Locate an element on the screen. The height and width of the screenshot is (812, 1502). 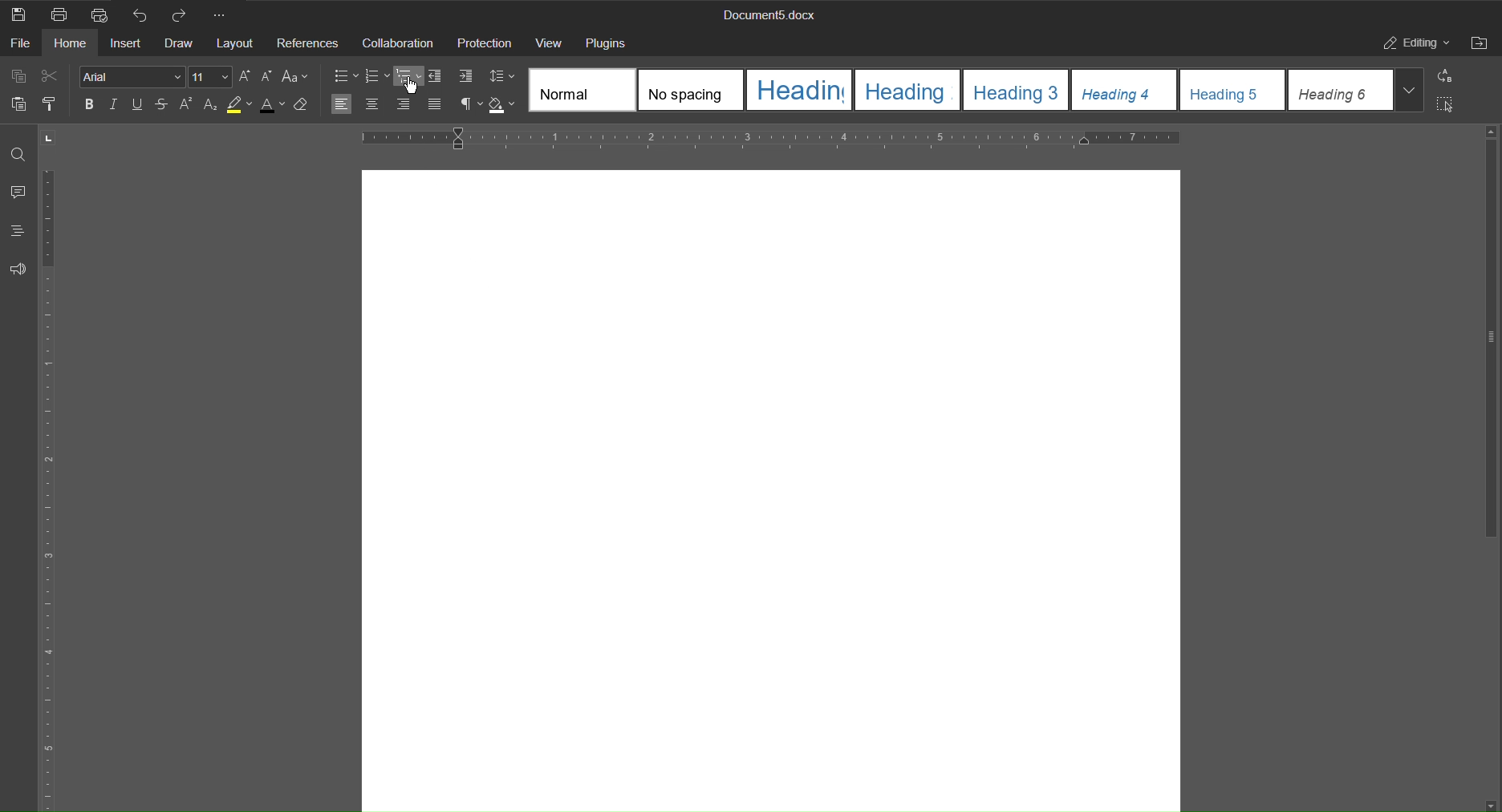
Undo is located at coordinates (142, 14).